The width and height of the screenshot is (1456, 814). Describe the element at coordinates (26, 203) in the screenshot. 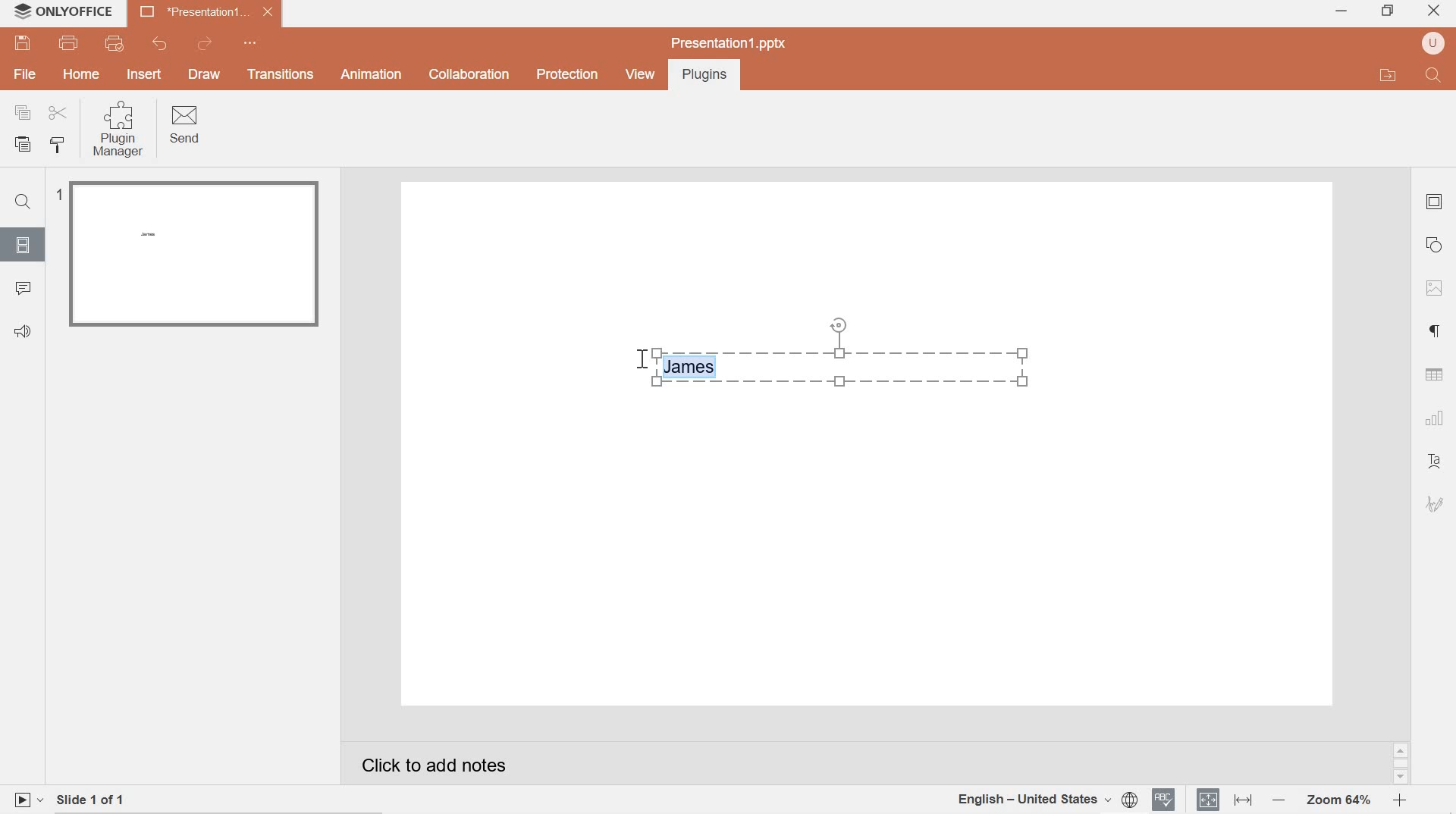

I see `Find` at that location.